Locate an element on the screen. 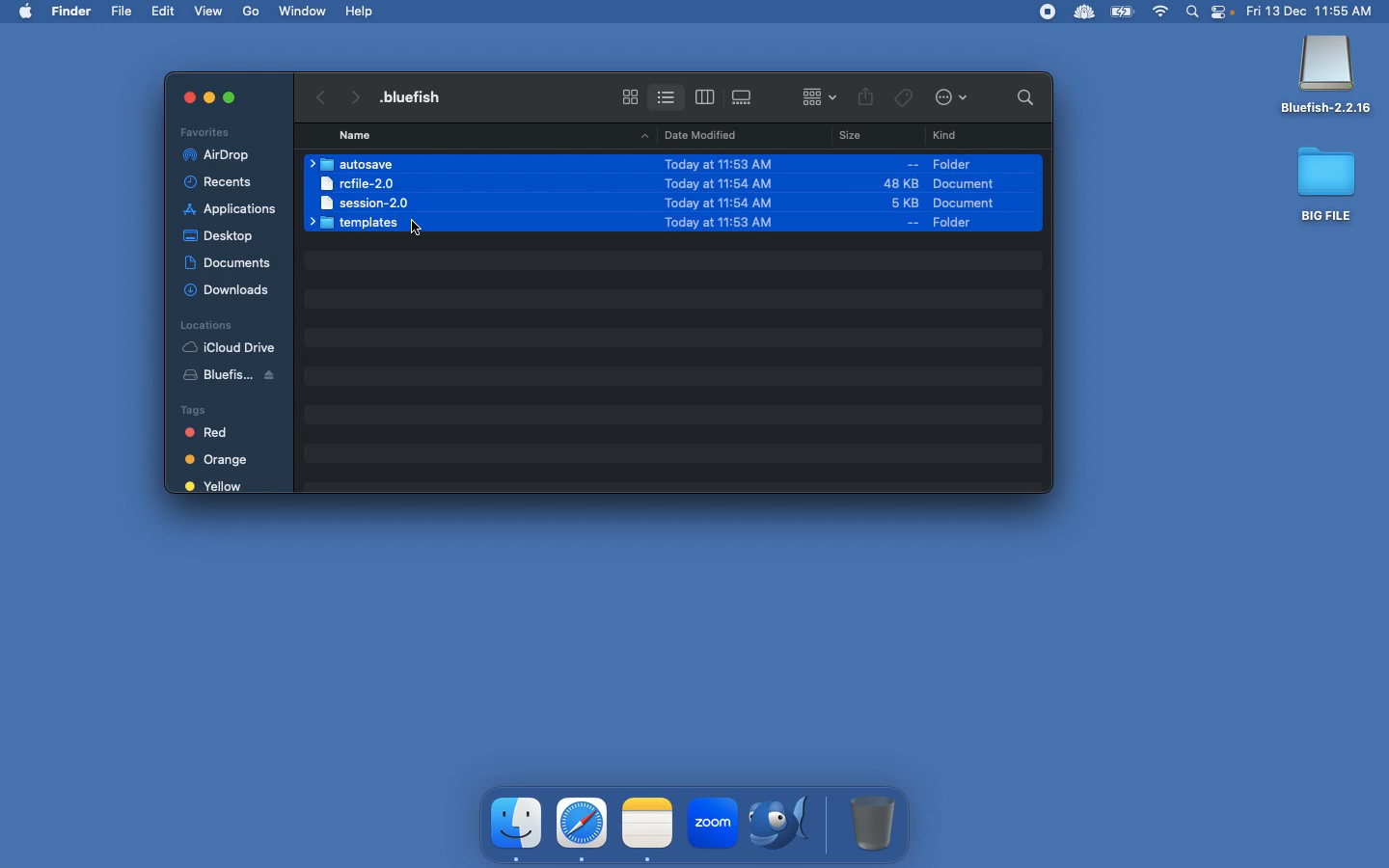 Image resolution: width=1389 pixels, height=868 pixels. Search is located at coordinates (1193, 14).